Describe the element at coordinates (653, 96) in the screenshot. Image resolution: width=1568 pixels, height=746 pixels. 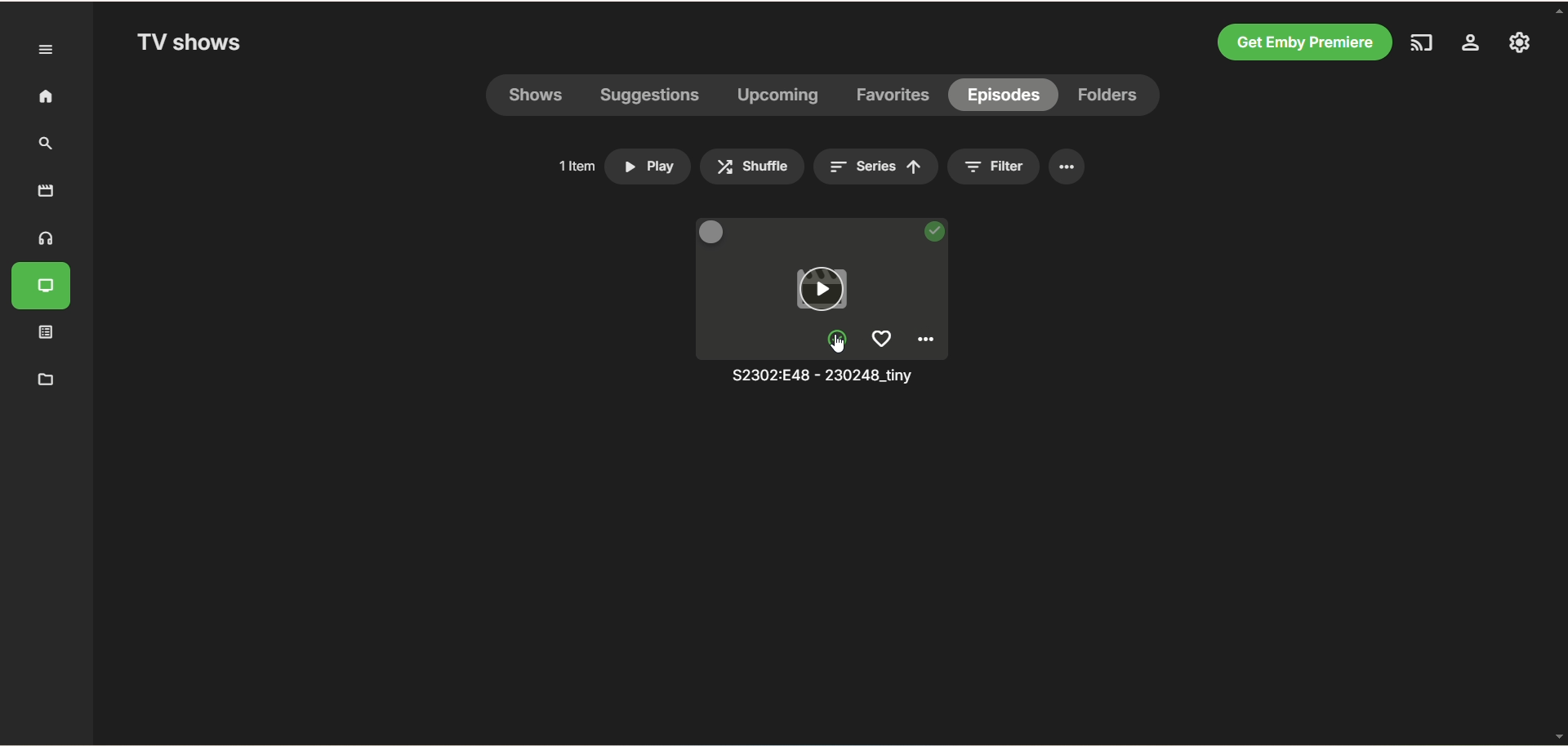
I see `suggestions` at that location.